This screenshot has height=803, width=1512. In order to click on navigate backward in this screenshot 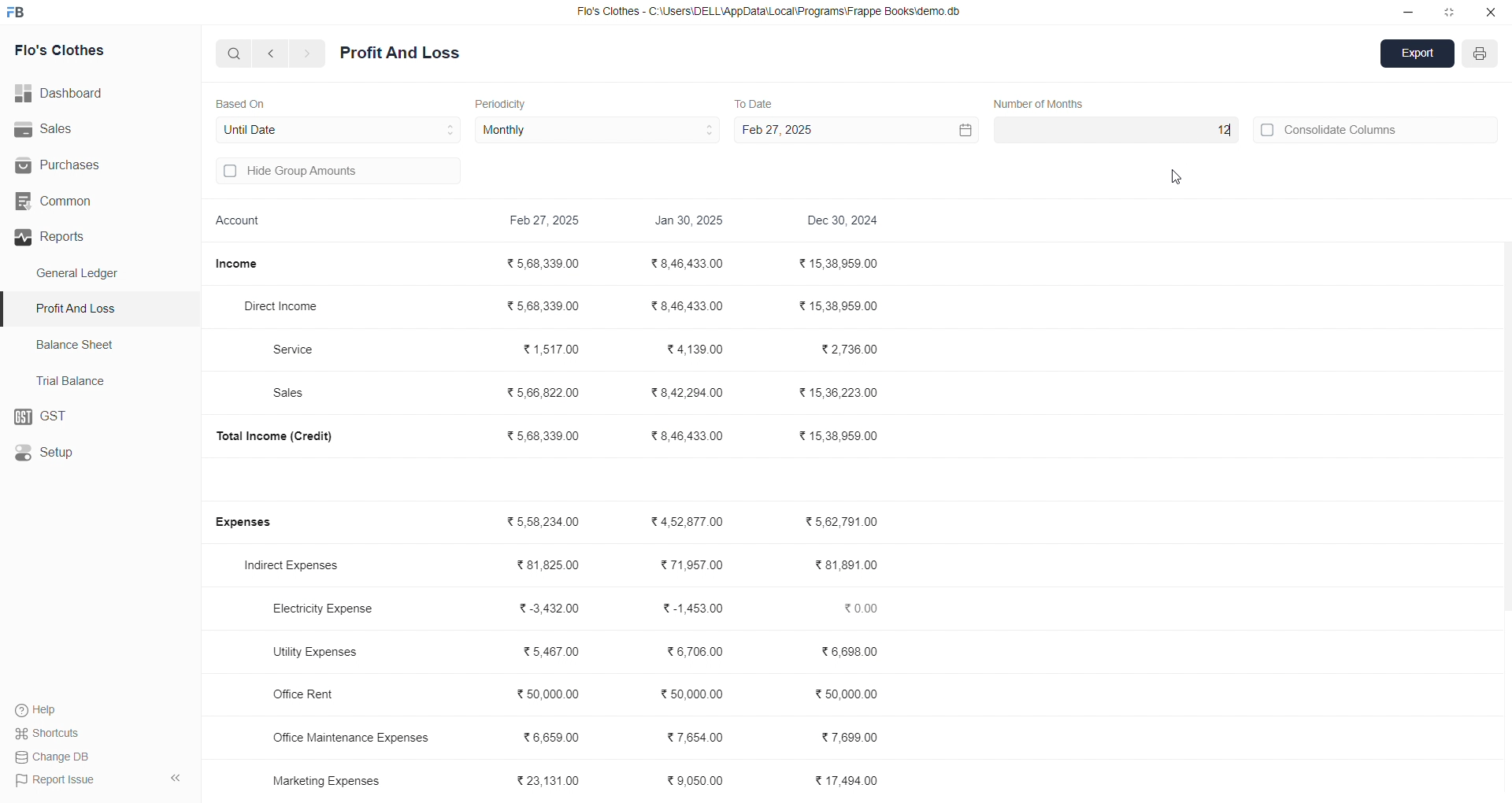, I will do `click(273, 53)`.